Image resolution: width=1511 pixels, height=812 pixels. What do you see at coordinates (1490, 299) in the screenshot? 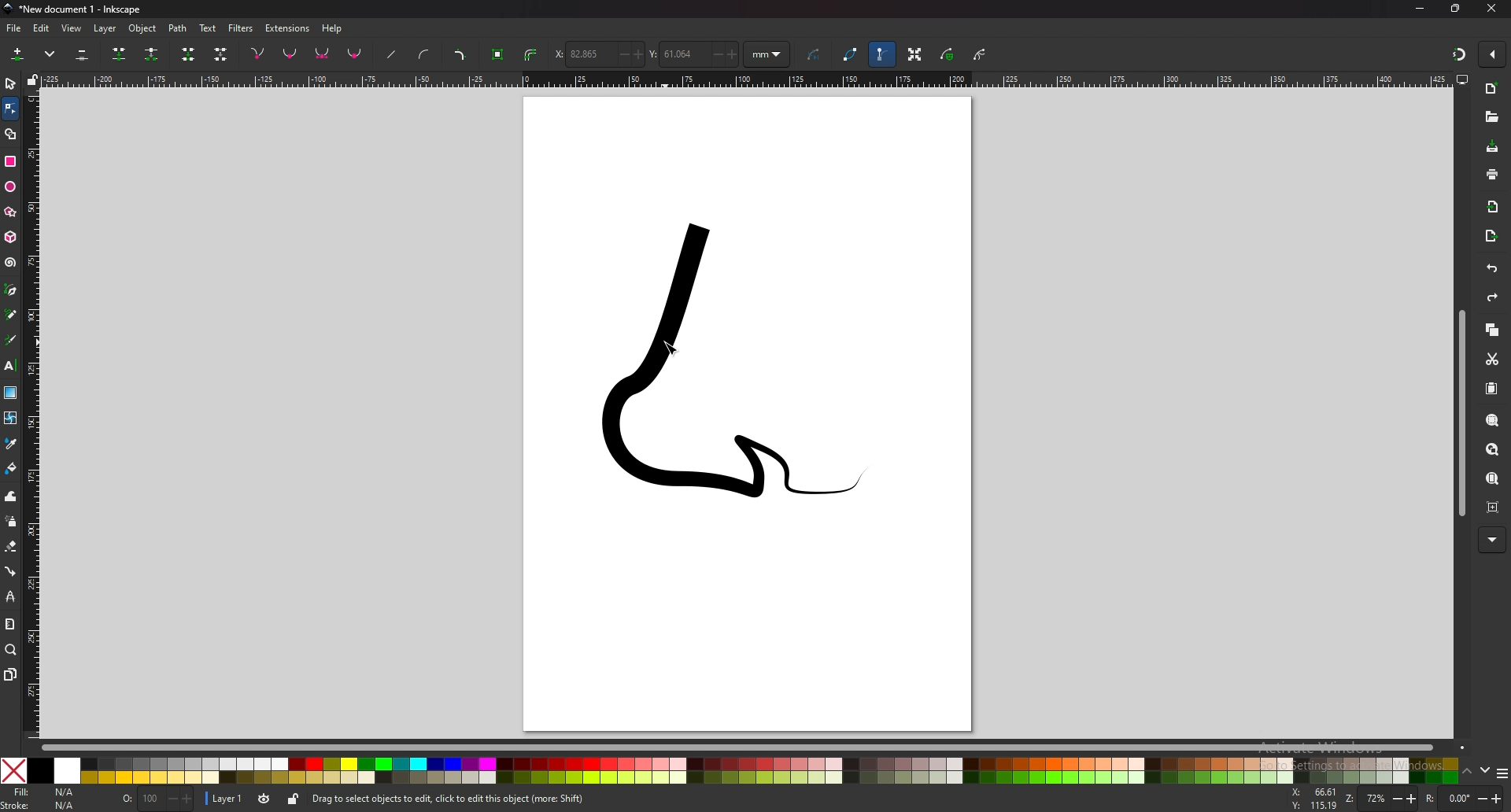
I see `redo` at bounding box center [1490, 299].